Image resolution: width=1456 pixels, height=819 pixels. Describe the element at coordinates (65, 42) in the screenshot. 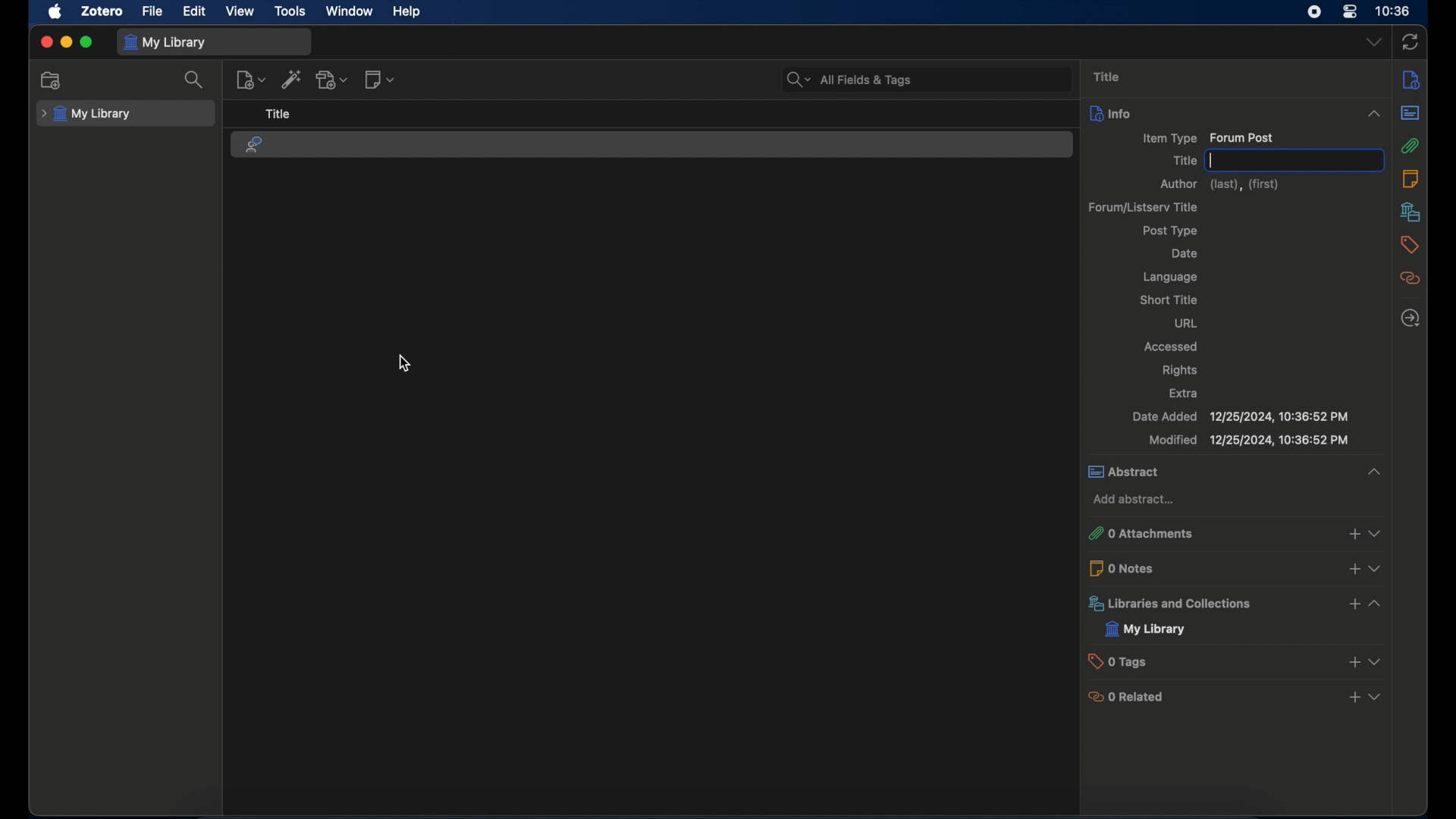

I see `minimize` at that location.